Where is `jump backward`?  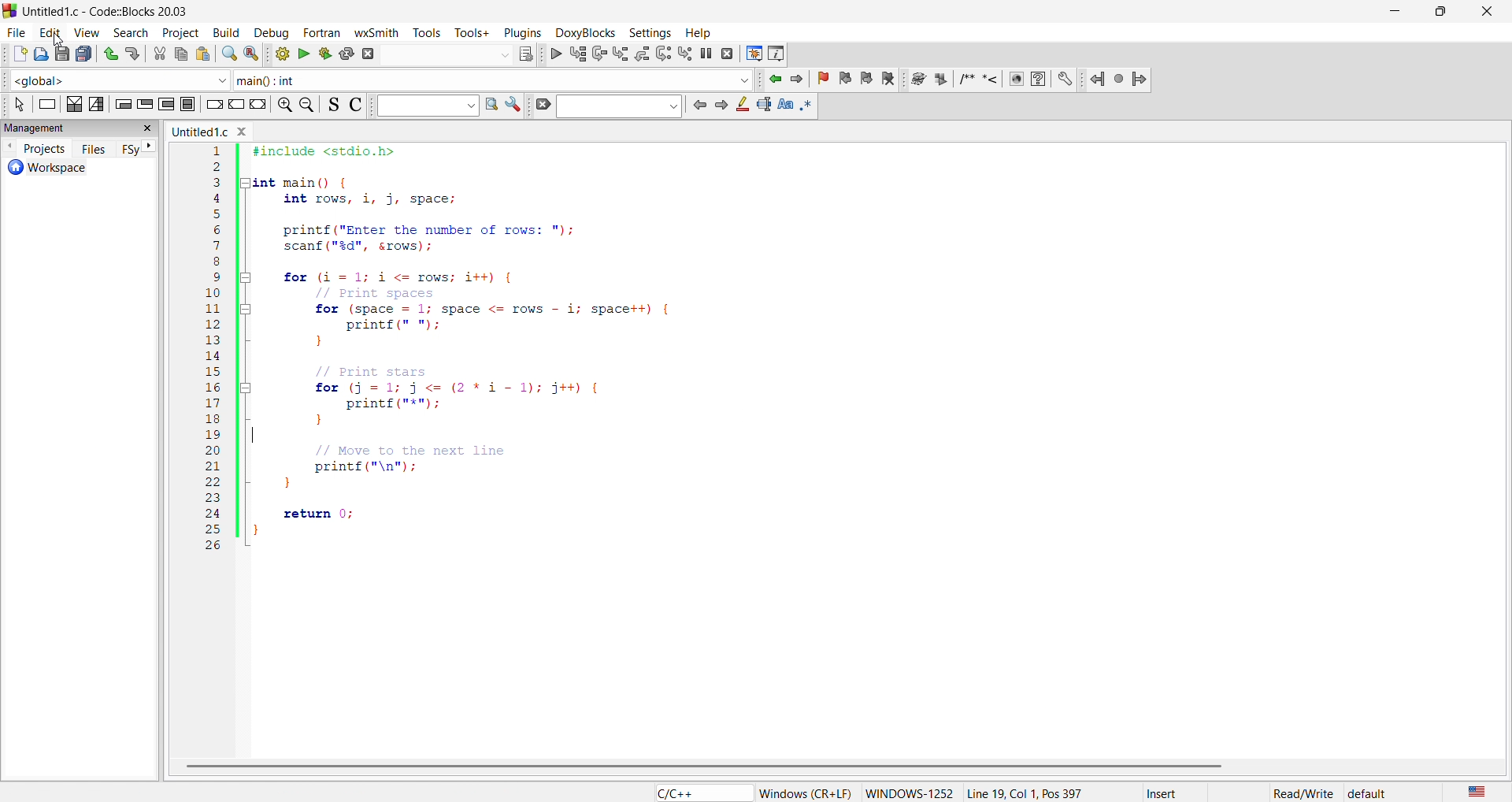
jump backward is located at coordinates (776, 79).